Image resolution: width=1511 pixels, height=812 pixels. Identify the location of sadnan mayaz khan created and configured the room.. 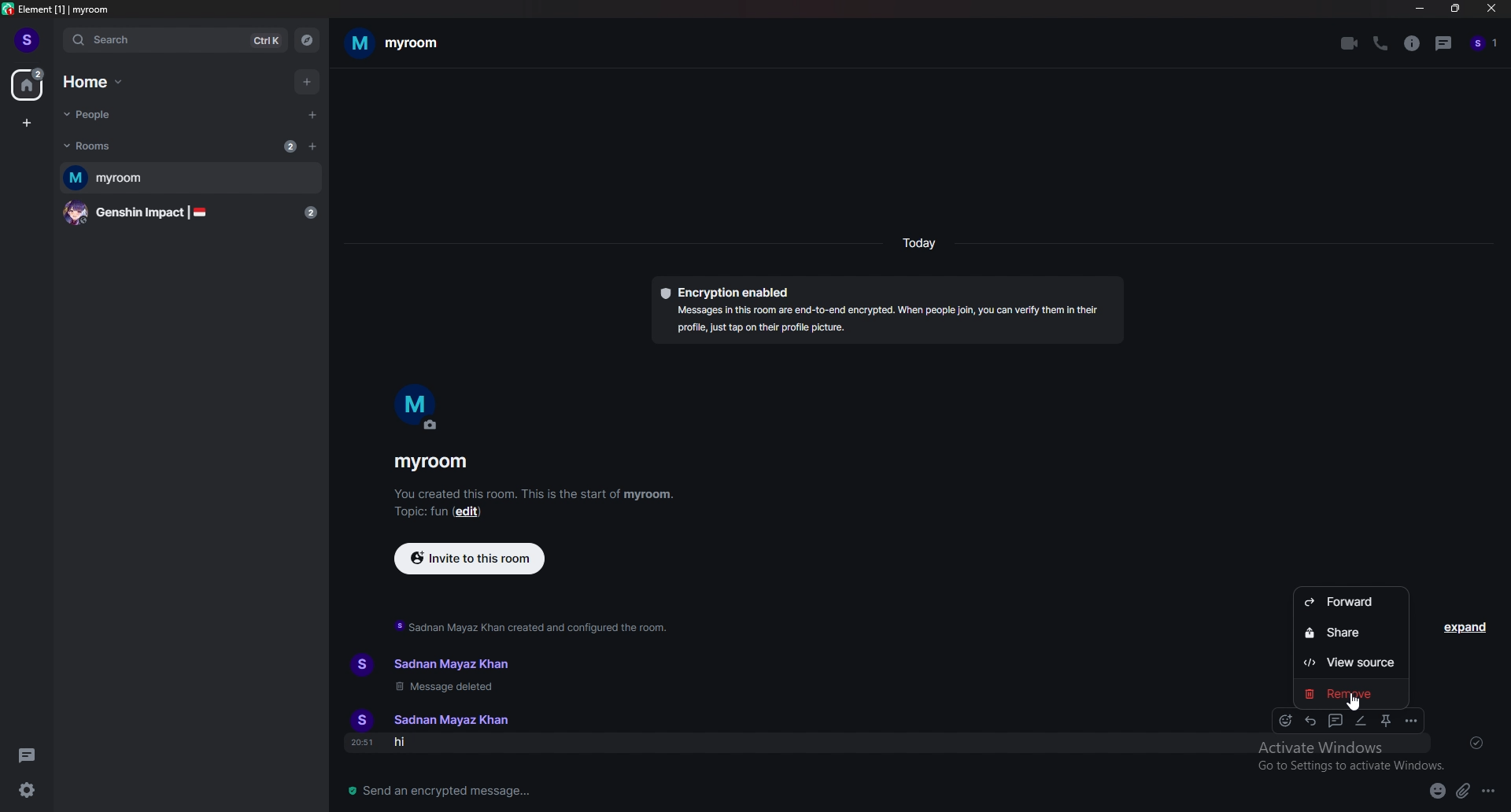
(534, 626).